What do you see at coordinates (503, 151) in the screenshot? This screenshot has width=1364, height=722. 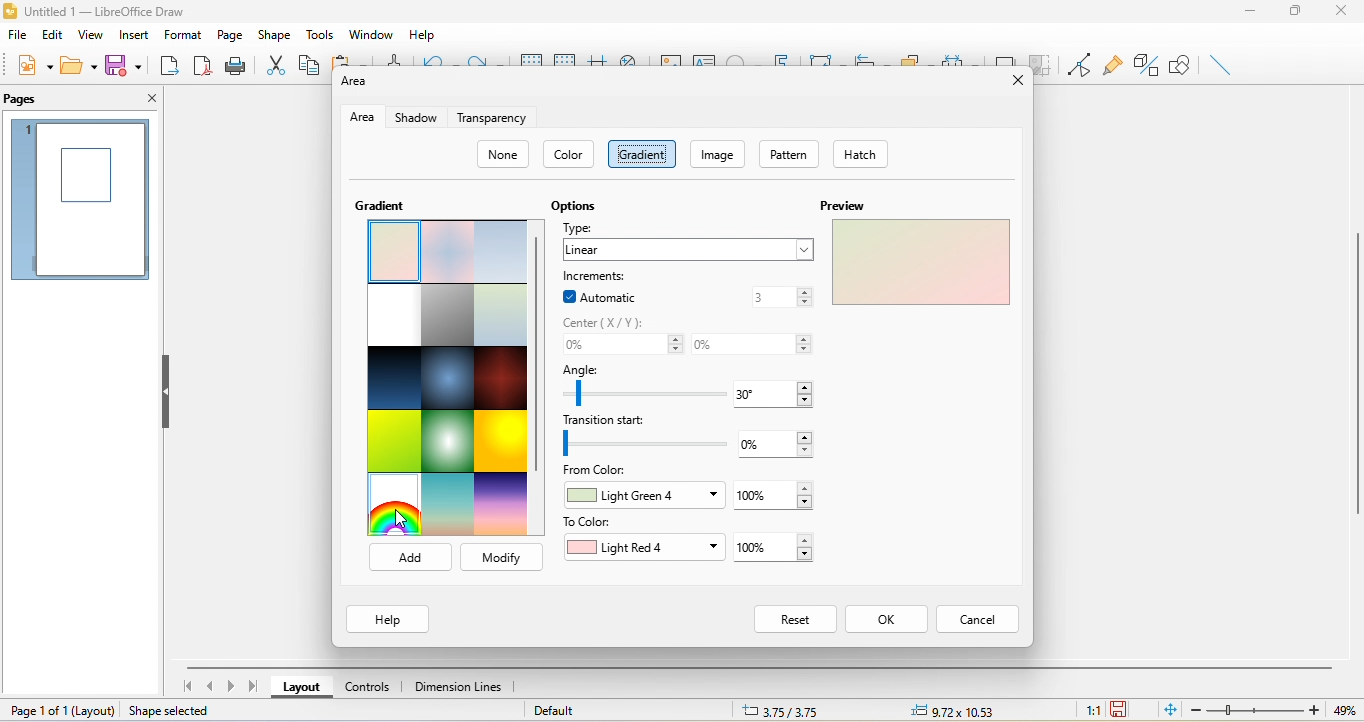 I see `none` at bounding box center [503, 151].